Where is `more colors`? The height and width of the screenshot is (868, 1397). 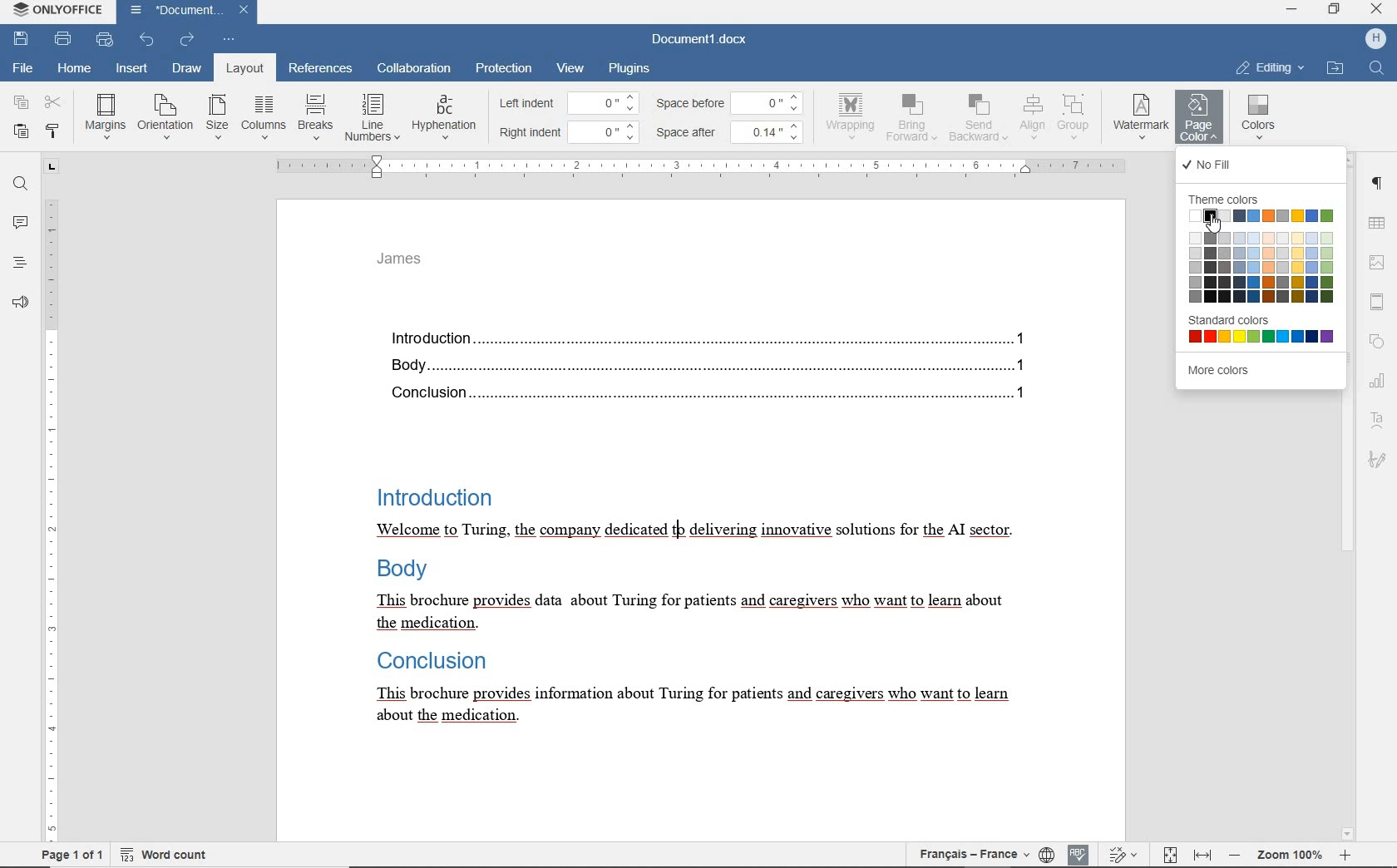 more colors is located at coordinates (1249, 373).